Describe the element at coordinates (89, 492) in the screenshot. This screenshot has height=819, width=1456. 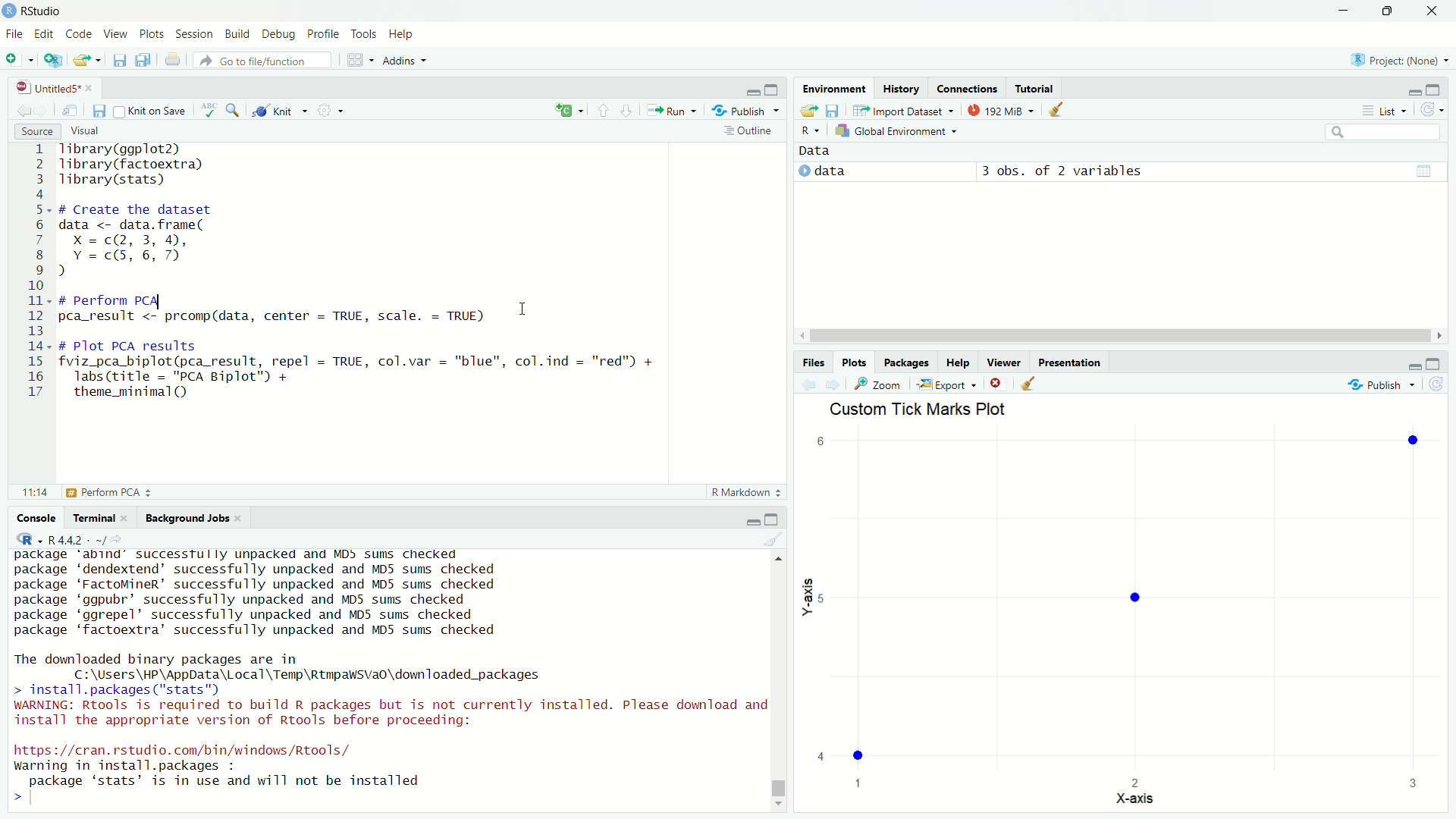
I see `plot PCA results` at that location.